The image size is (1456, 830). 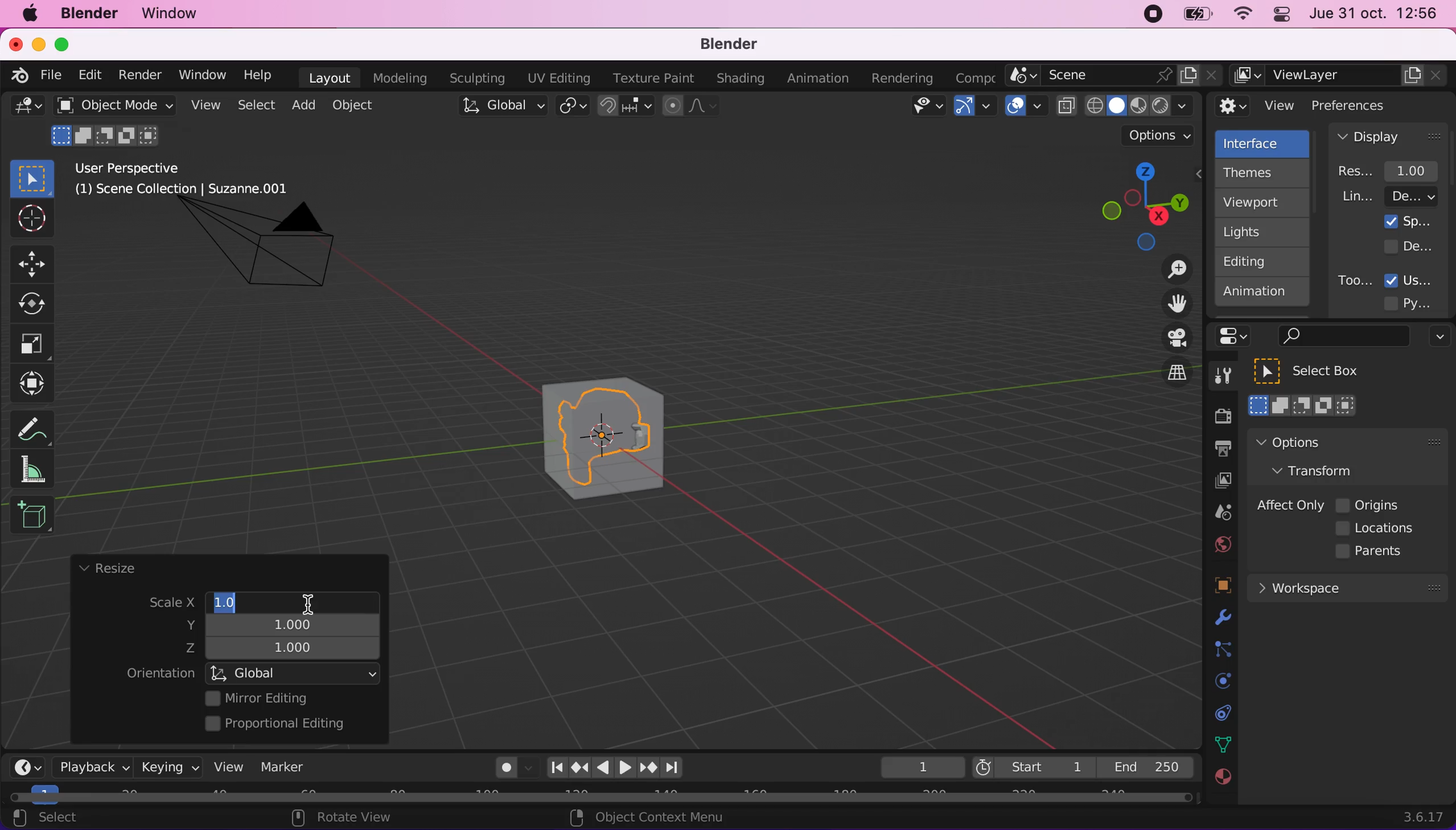 I want to click on zoom in/out the view, so click(x=1171, y=269).